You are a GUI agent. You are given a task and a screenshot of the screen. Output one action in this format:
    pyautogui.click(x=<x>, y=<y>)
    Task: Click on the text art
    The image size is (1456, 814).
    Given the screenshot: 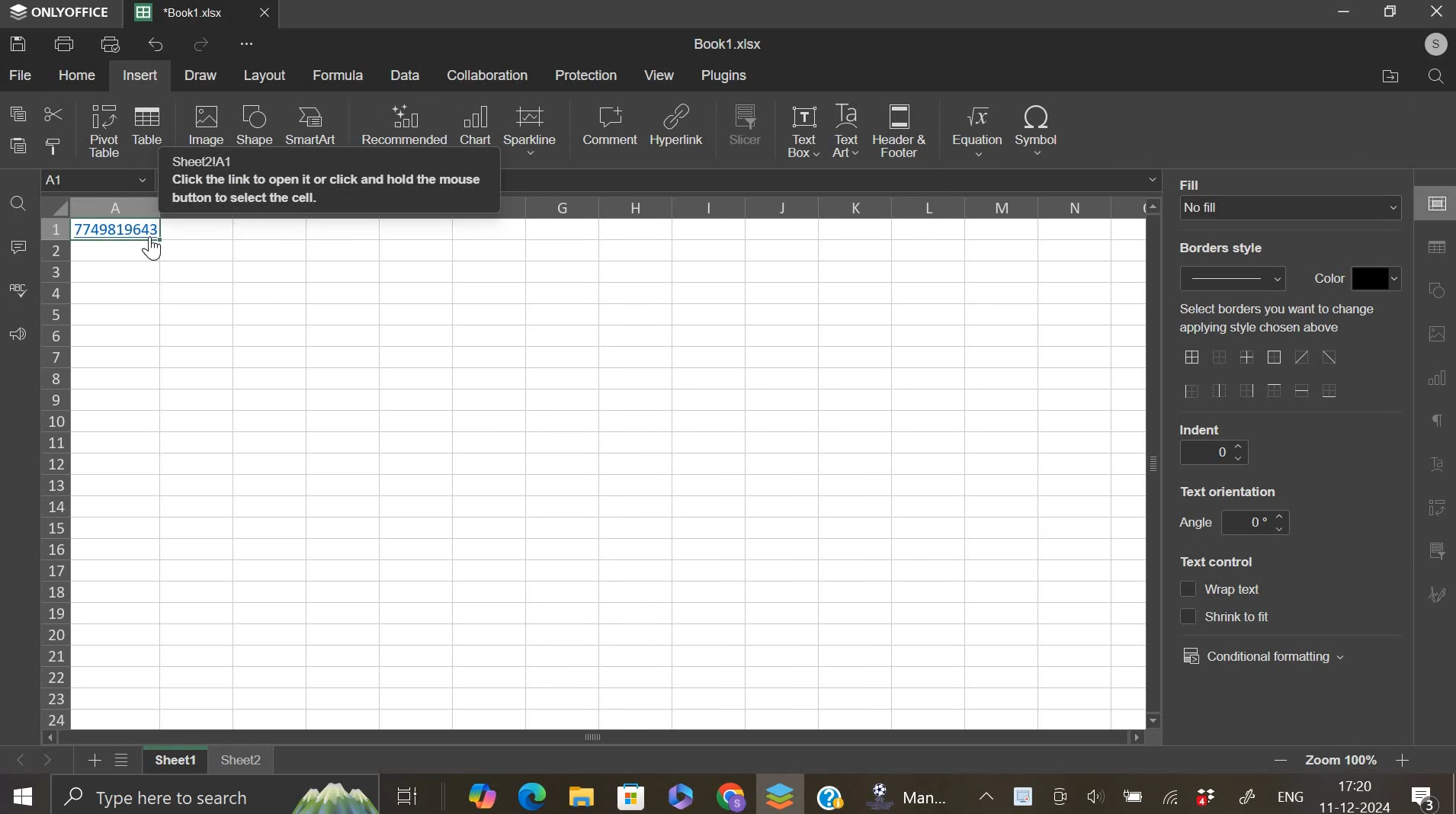 What is the action you would take?
    pyautogui.click(x=845, y=131)
    